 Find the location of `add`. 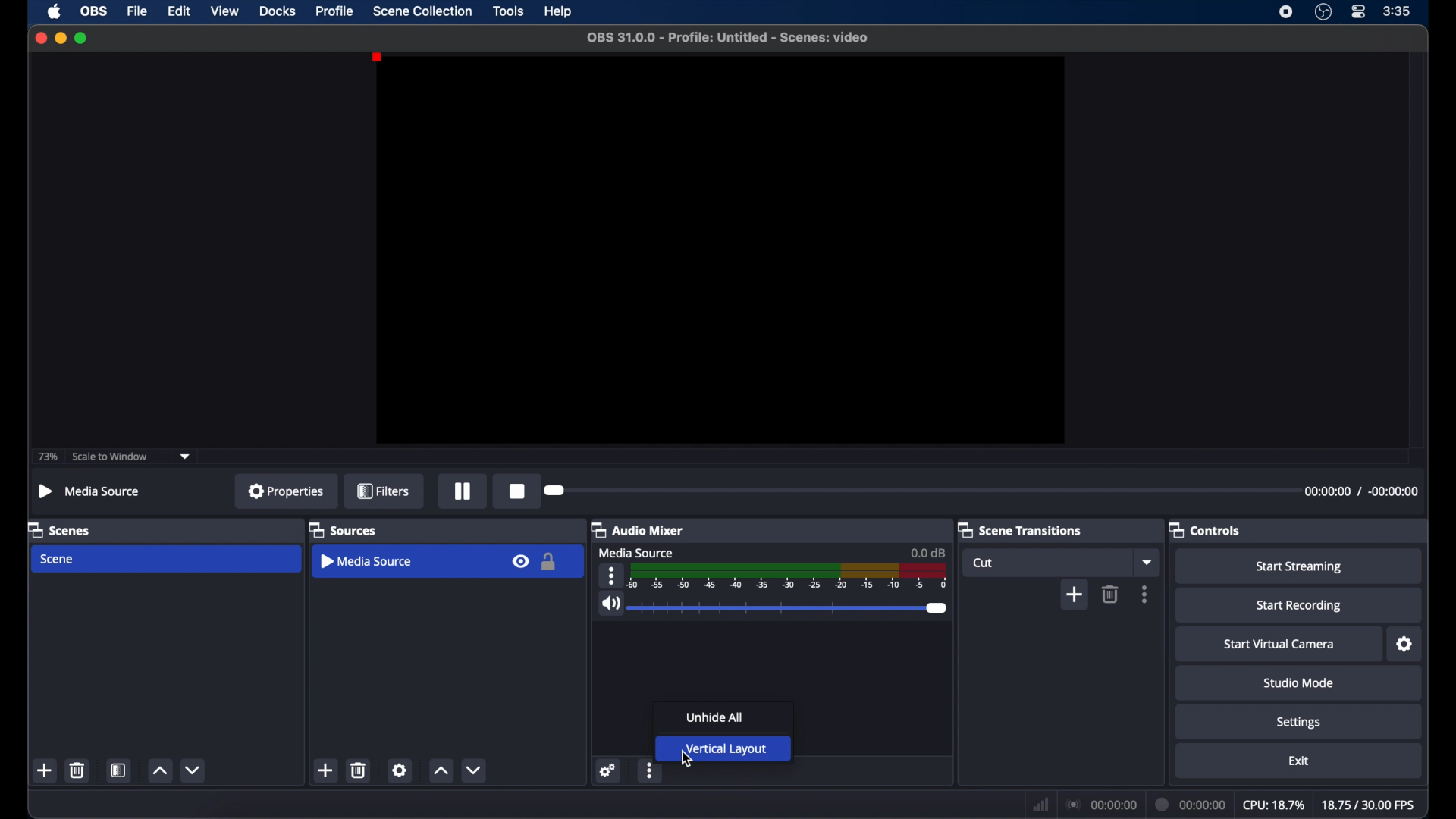

add is located at coordinates (1074, 594).